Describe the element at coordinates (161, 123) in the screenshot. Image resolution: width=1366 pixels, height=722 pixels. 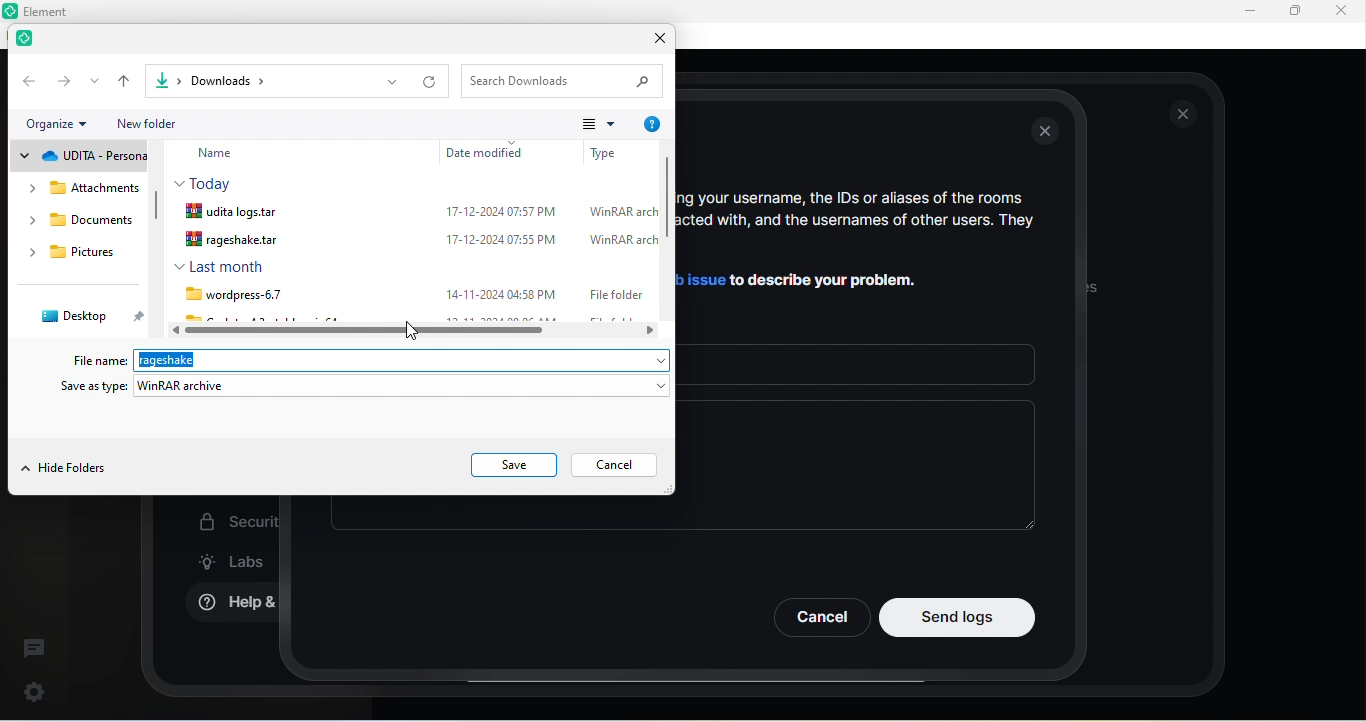
I see `new folder` at that location.